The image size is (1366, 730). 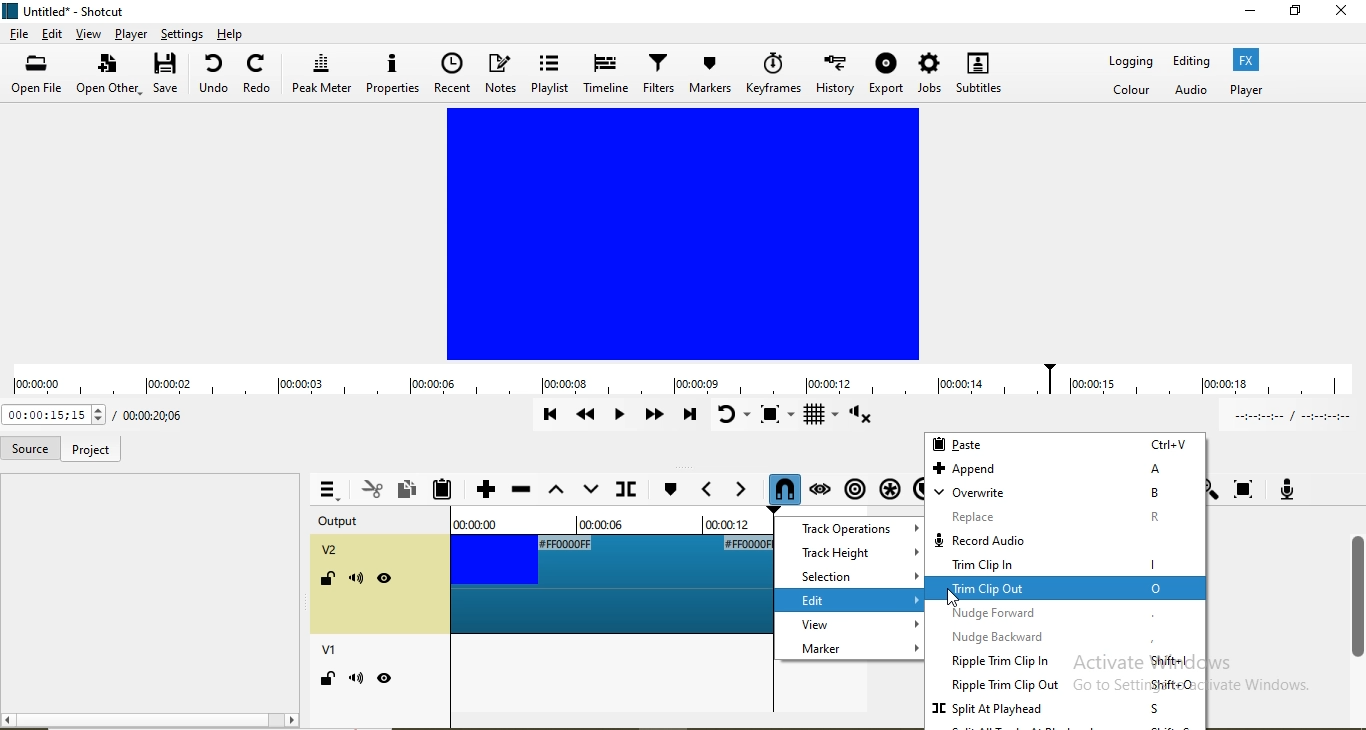 I want to click on Skip to the next point , so click(x=689, y=416).